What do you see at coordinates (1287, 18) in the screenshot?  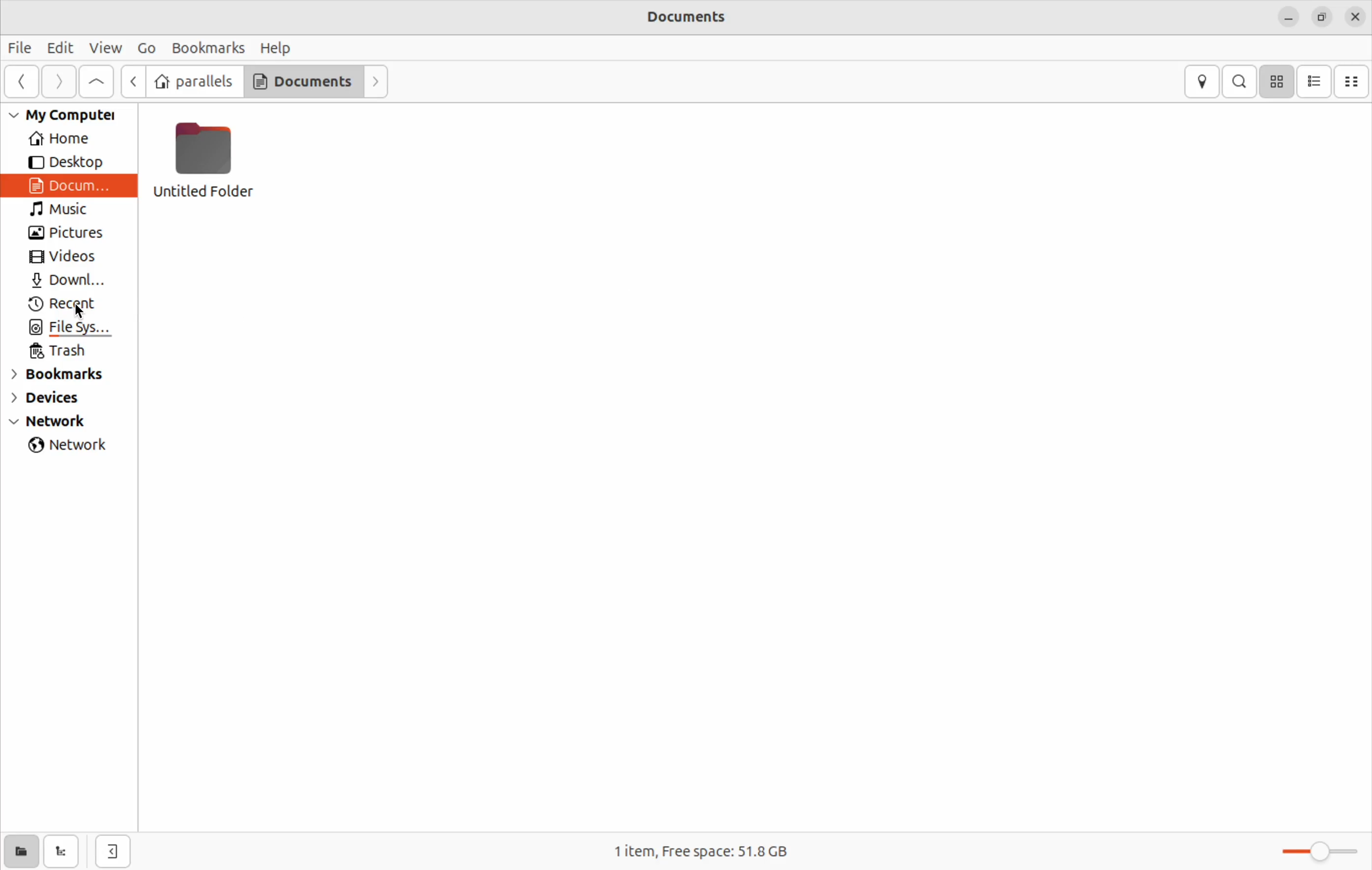 I see `minimize` at bounding box center [1287, 18].